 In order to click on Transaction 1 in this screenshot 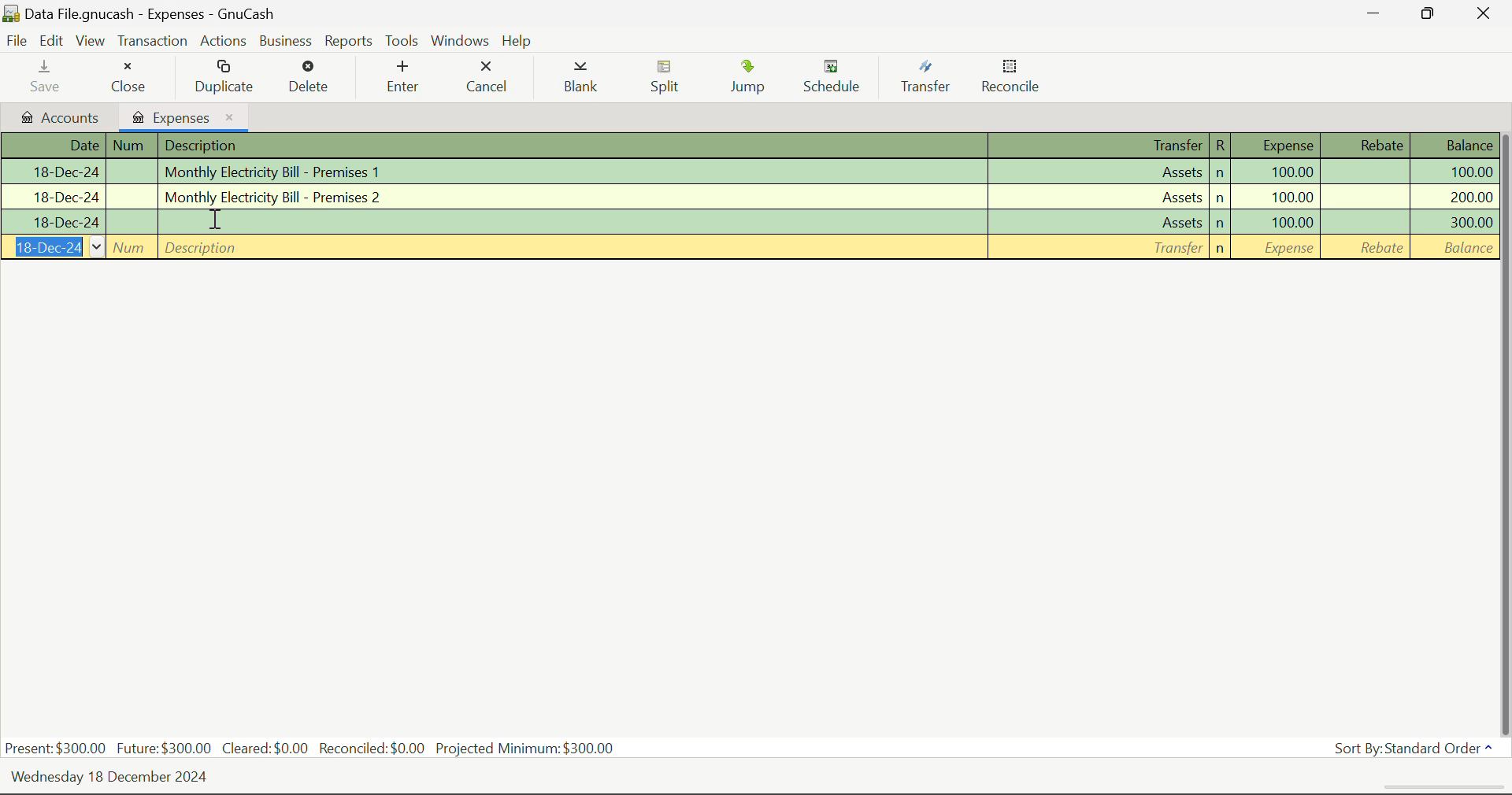, I will do `click(755, 172)`.